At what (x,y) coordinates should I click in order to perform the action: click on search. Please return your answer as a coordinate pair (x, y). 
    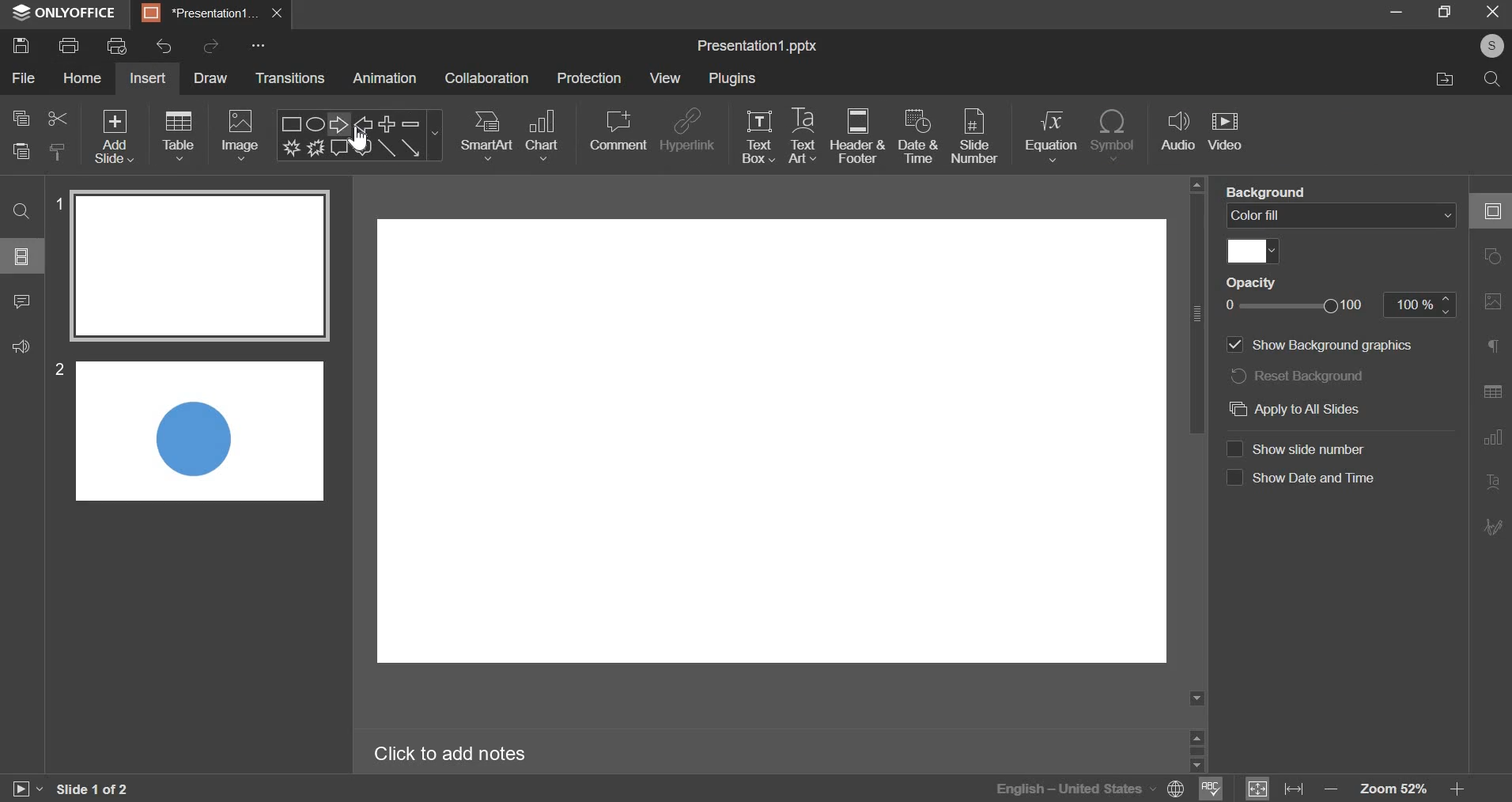
    Looking at the image, I should click on (1494, 81).